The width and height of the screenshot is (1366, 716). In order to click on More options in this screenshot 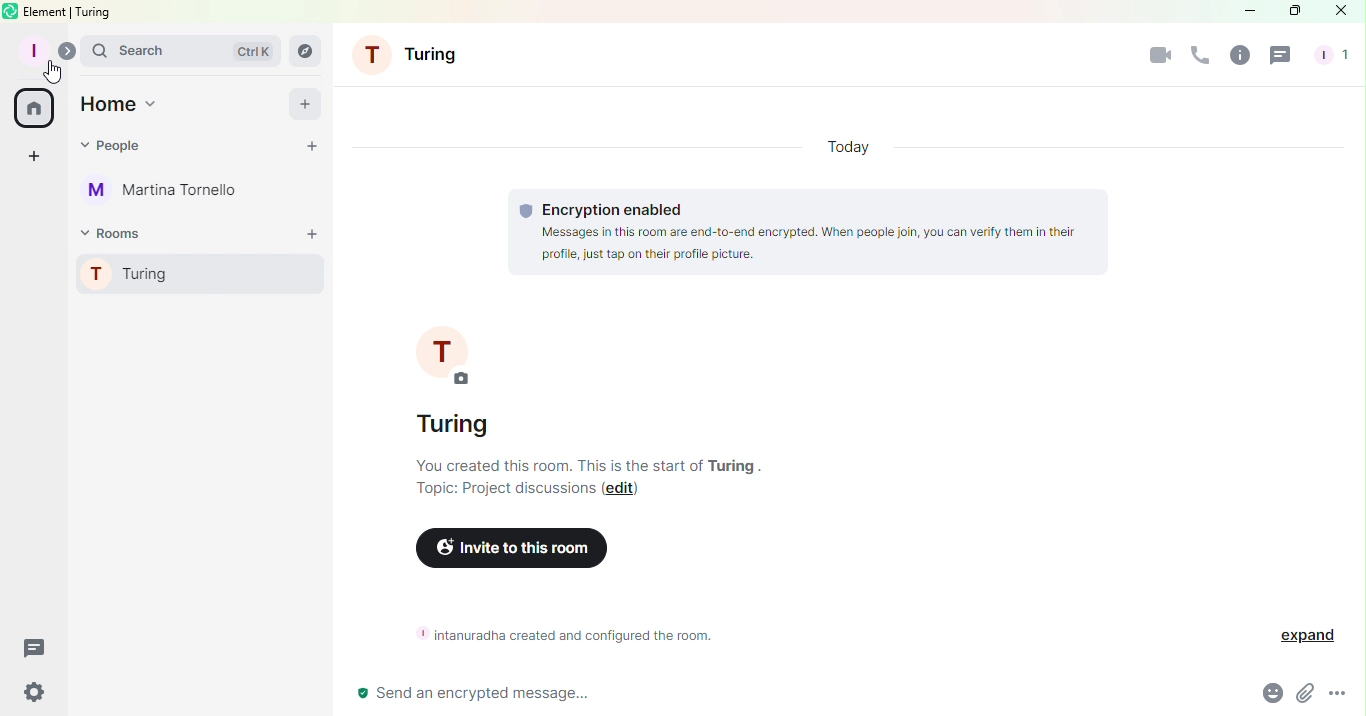, I will do `click(1343, 697)`.